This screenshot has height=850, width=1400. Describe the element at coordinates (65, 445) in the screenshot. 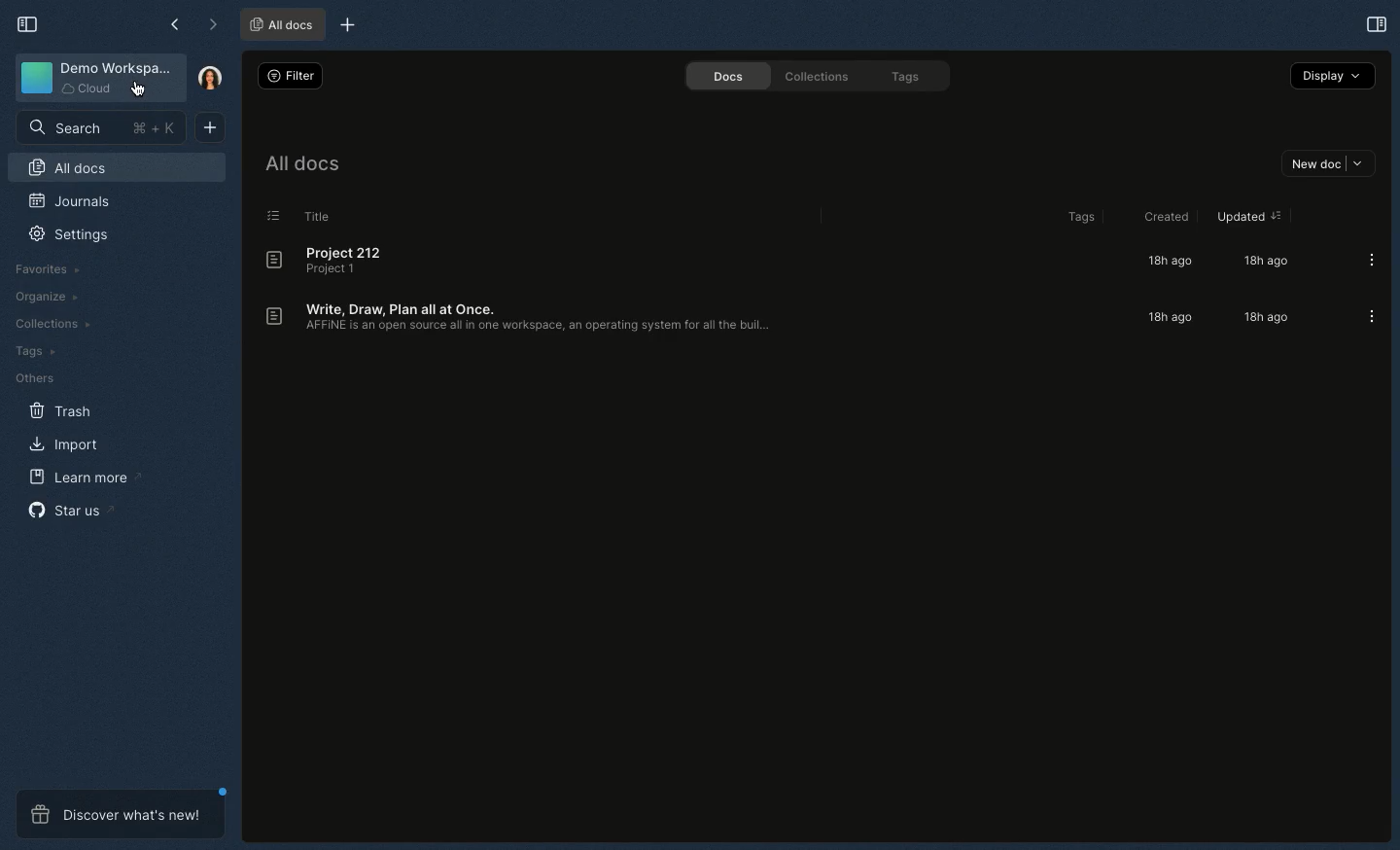

I see `Import` at that location.